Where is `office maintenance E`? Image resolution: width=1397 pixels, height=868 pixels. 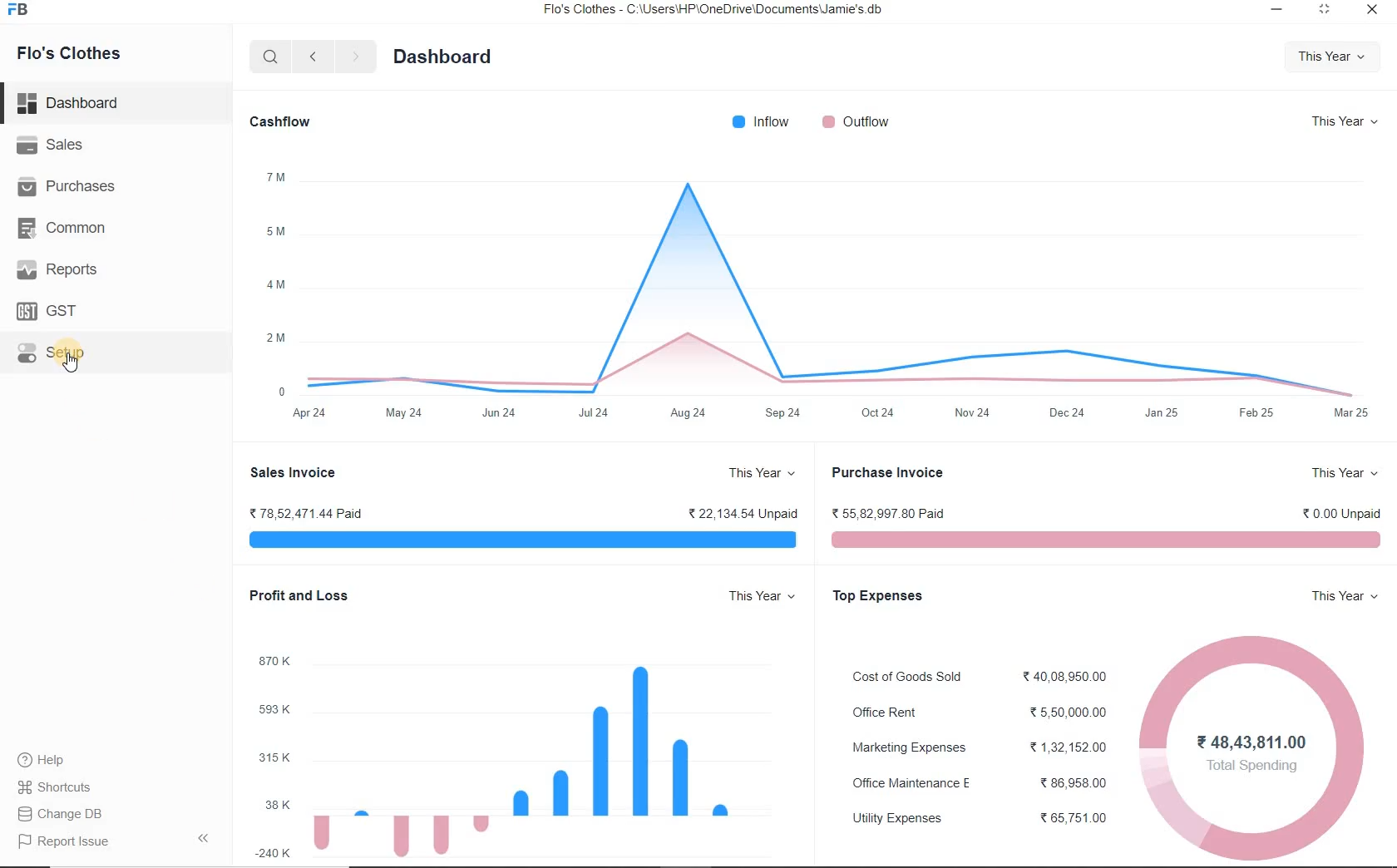
office maintenance E is located at coordinates (911, 784).